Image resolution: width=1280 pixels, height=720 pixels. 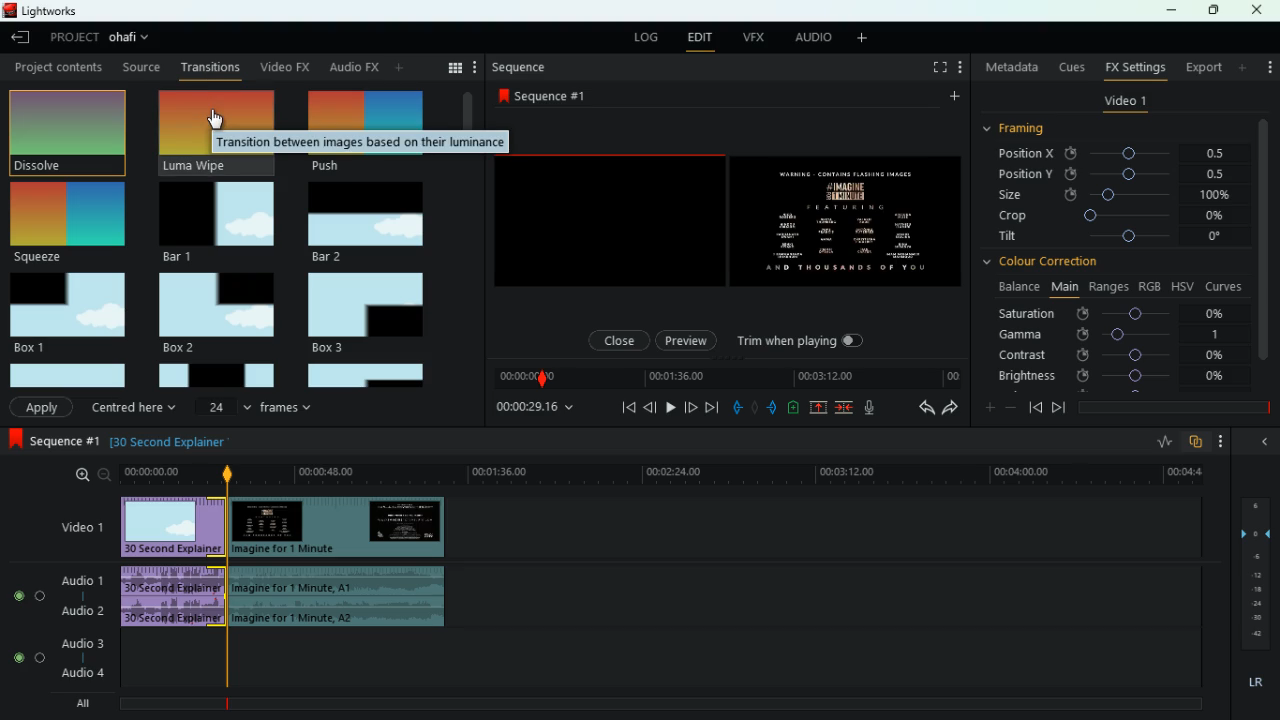 I want to click on push, so click(x=367, y=133).